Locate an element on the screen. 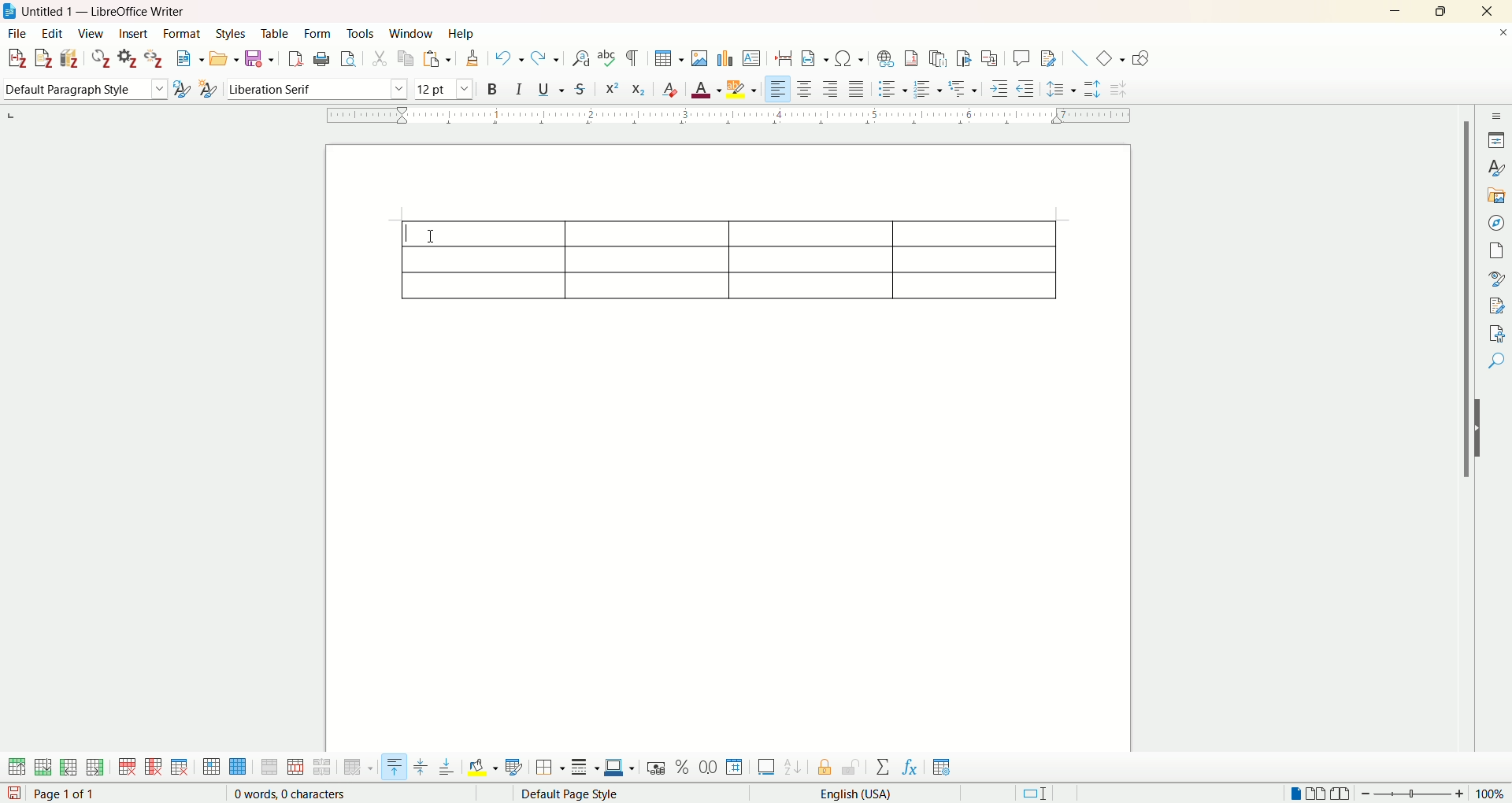  insert column after is located at coordinates (94, 765).